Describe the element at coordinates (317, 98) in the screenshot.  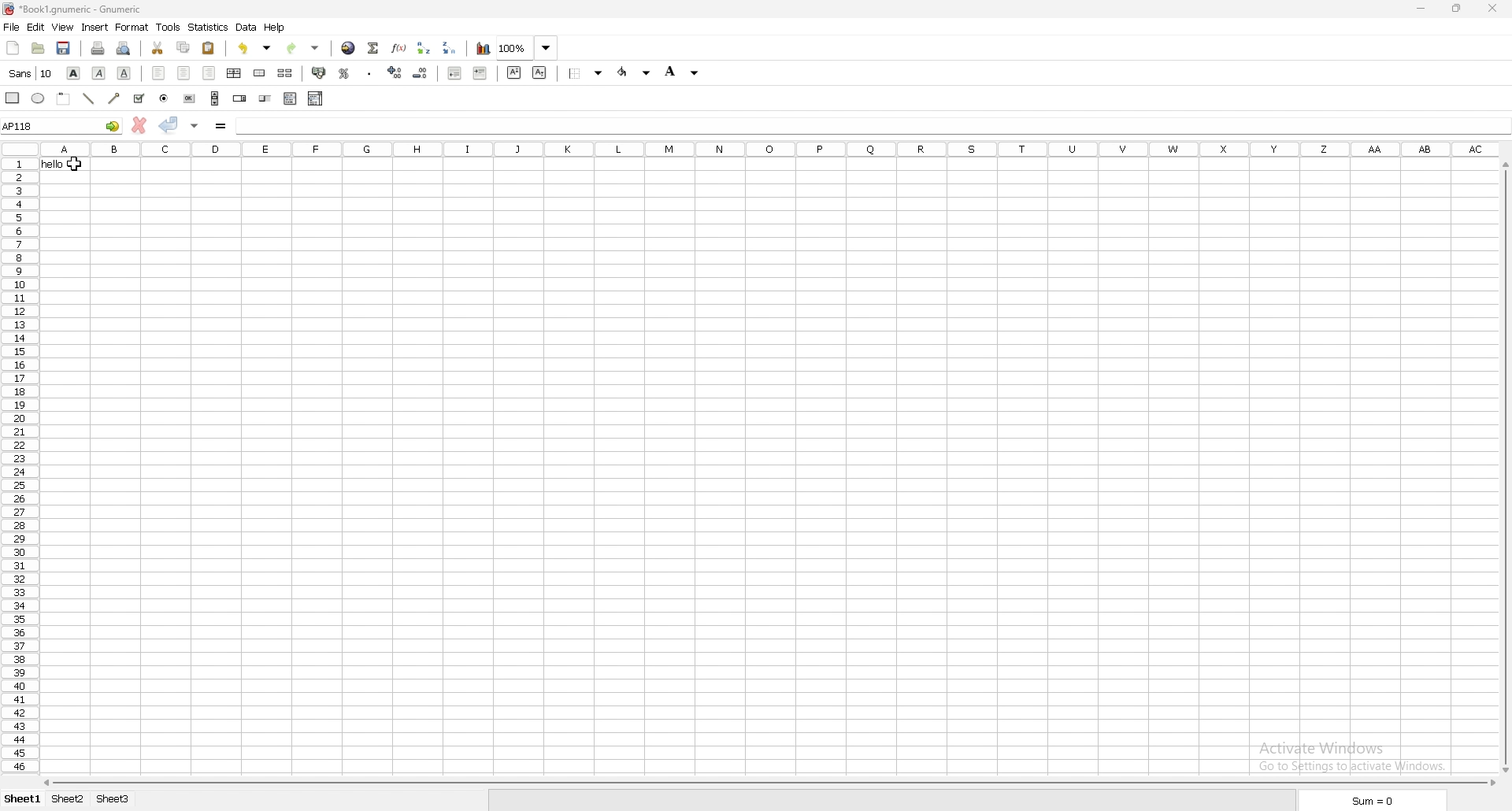
I see `combo box` at that location.